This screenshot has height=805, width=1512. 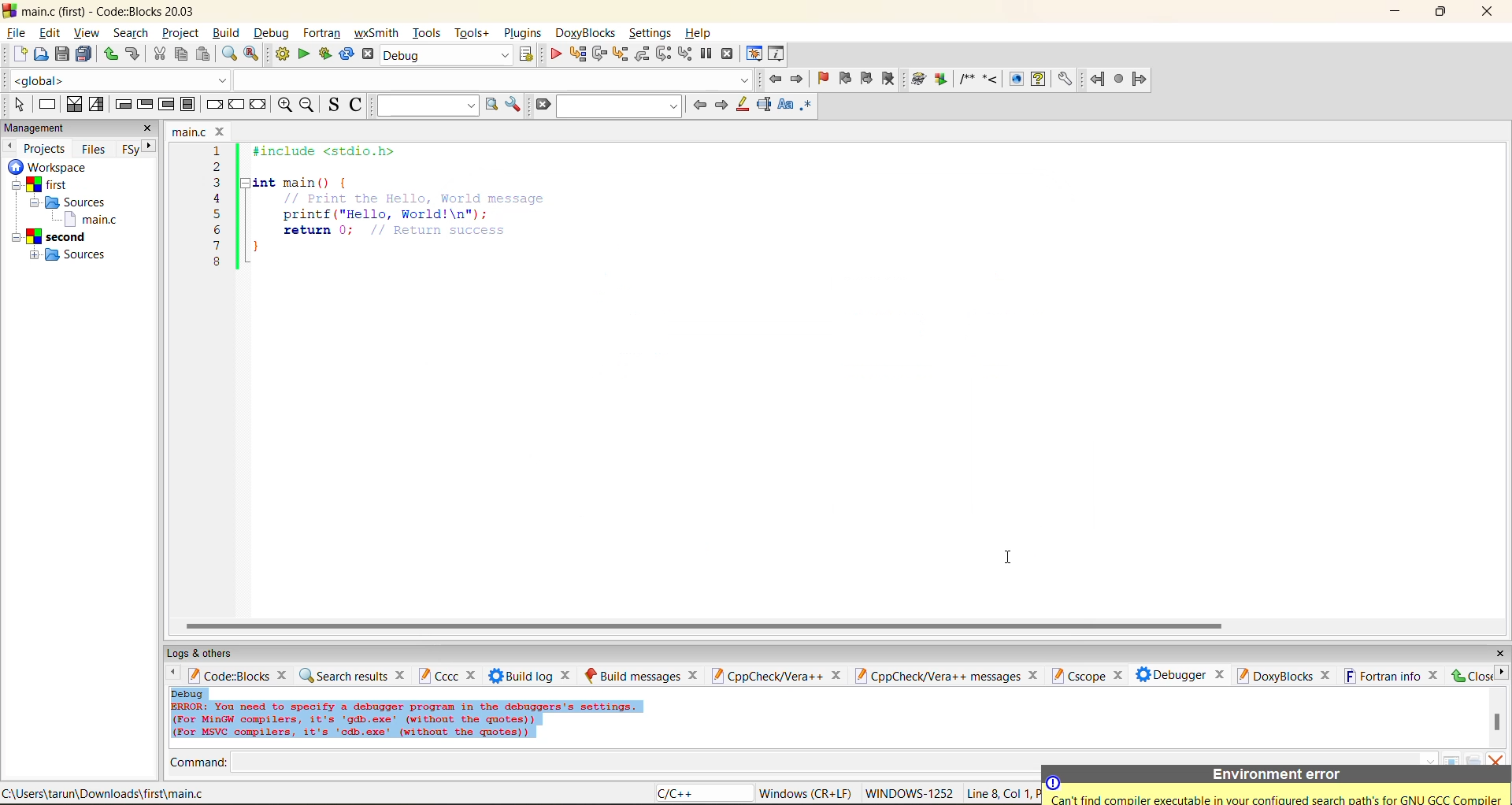 What do you see at coordinates (825, 79) in the screenshot?
I see `toggle bookmark` at bounding box center [825, 79].